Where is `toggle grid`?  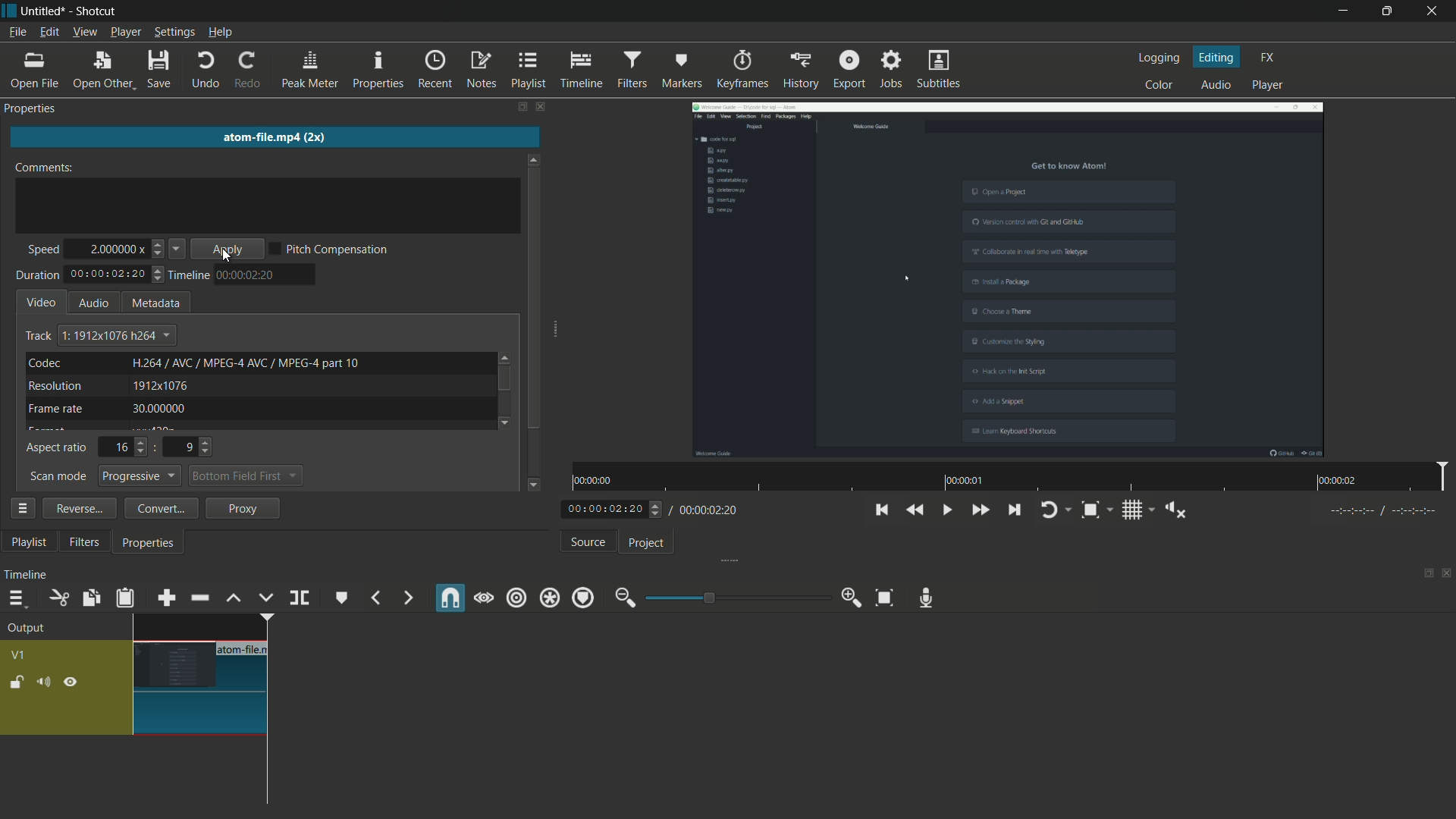 toggle grid is located at coordinates (1131, 510).